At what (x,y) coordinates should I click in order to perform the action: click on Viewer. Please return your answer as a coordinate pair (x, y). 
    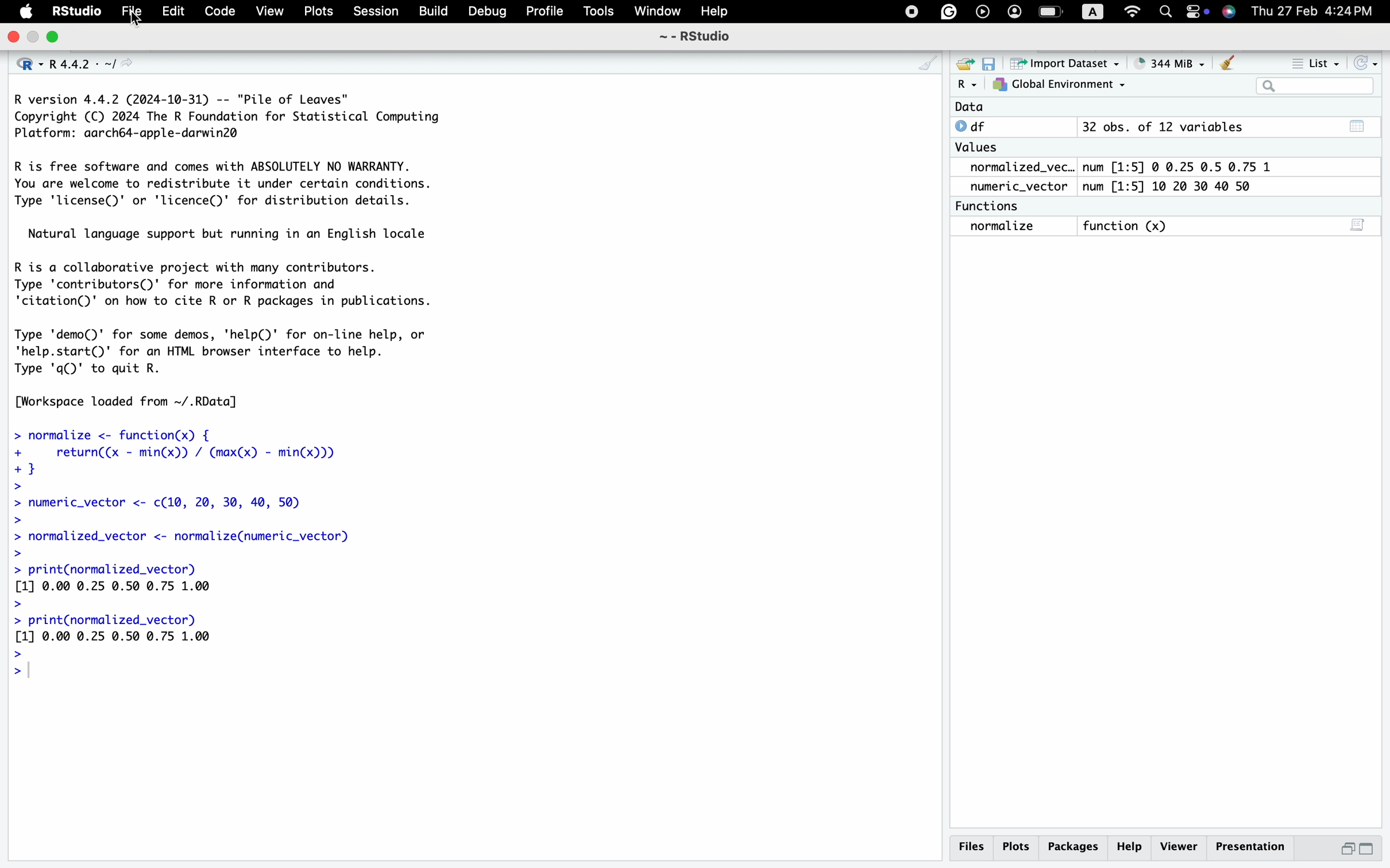
    Looking at the image, I should click on (1179, 847).